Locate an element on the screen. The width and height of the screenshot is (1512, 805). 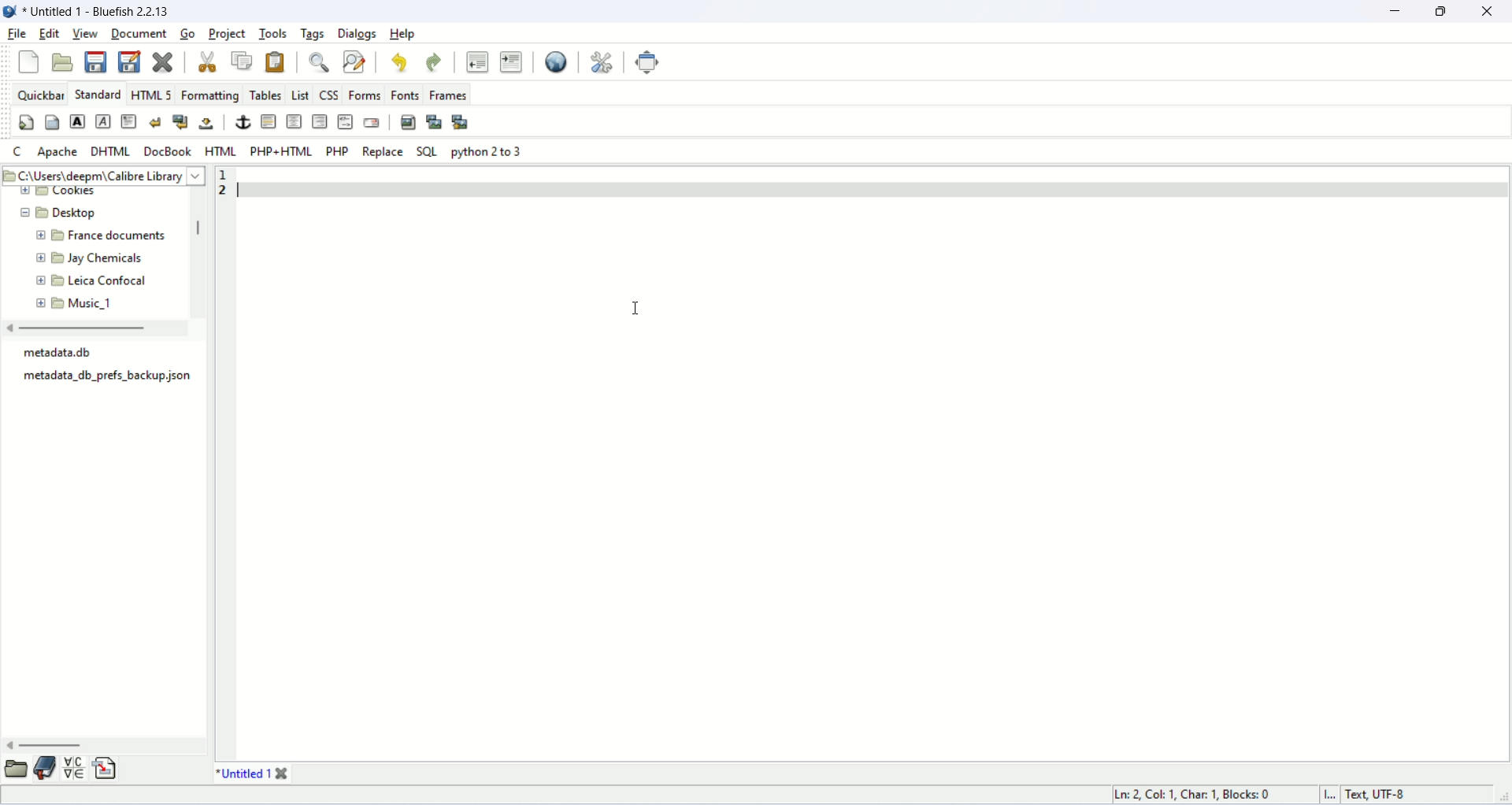
non breaking space is located at coordinates (208, 123).